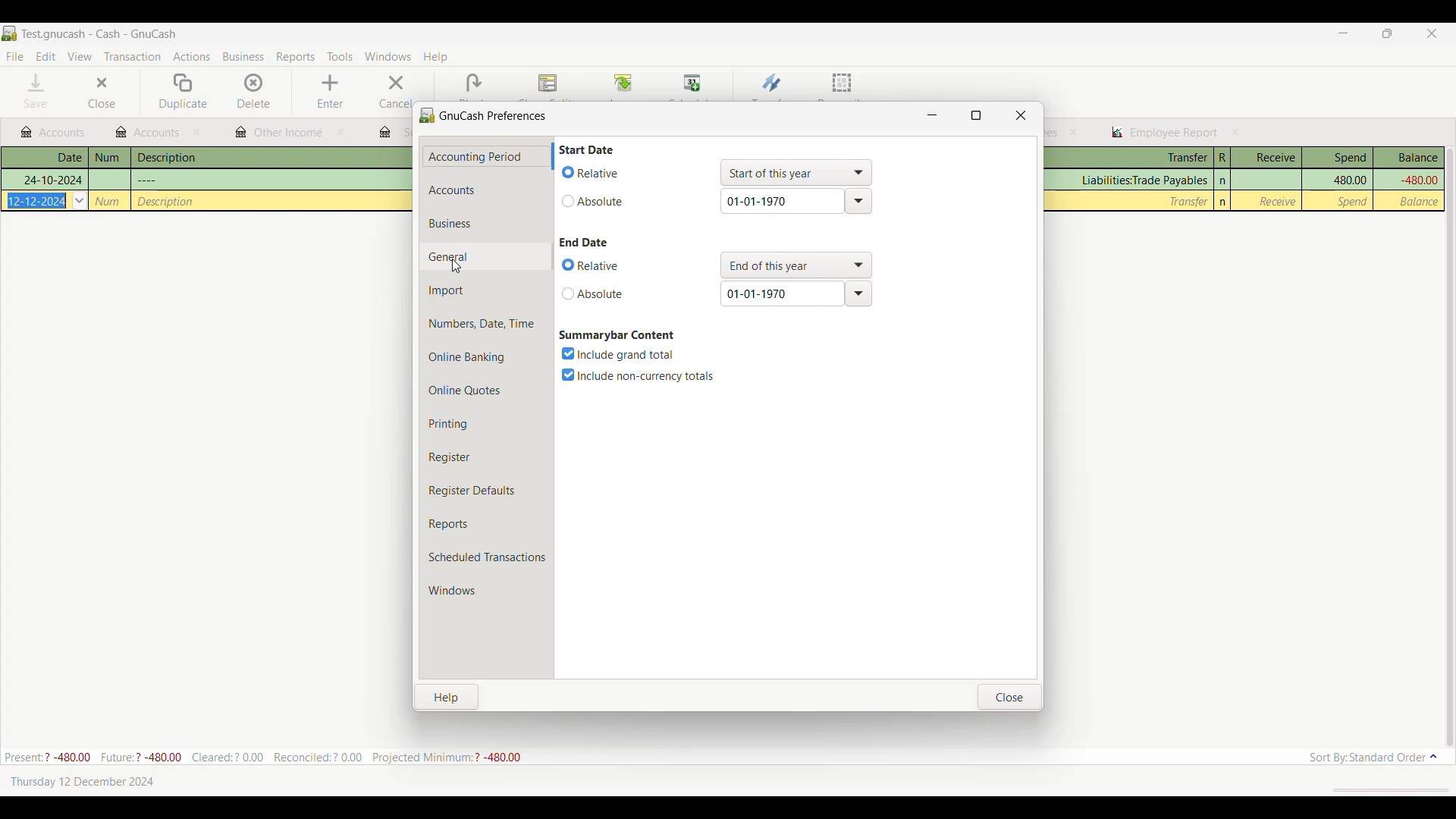  Describe the element at coordinates (487, 324) in the screenshot. I see `Numbers, Date, Time` at that location.